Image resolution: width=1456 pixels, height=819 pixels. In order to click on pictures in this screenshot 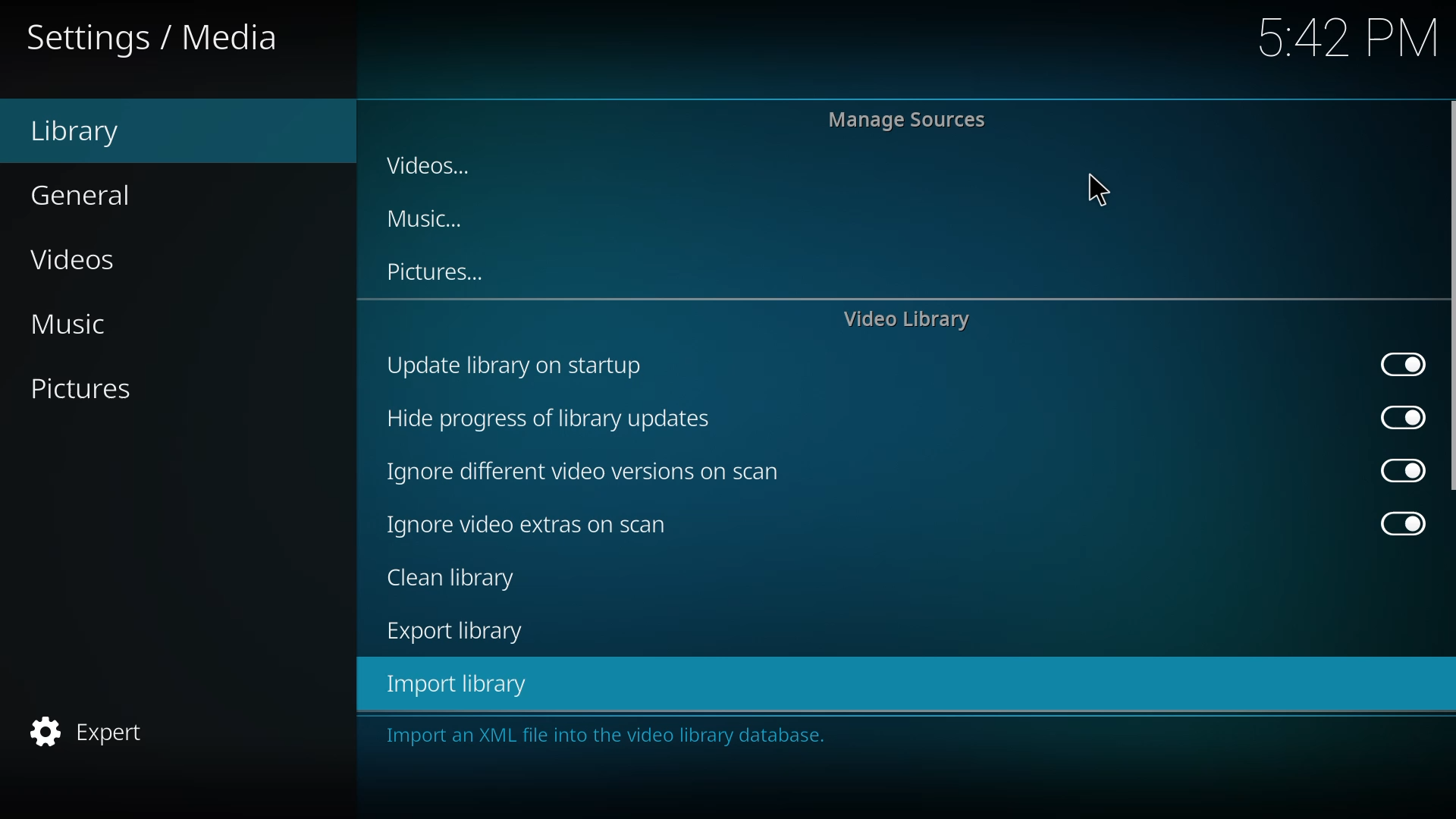, I will do `click(432, 273)`.